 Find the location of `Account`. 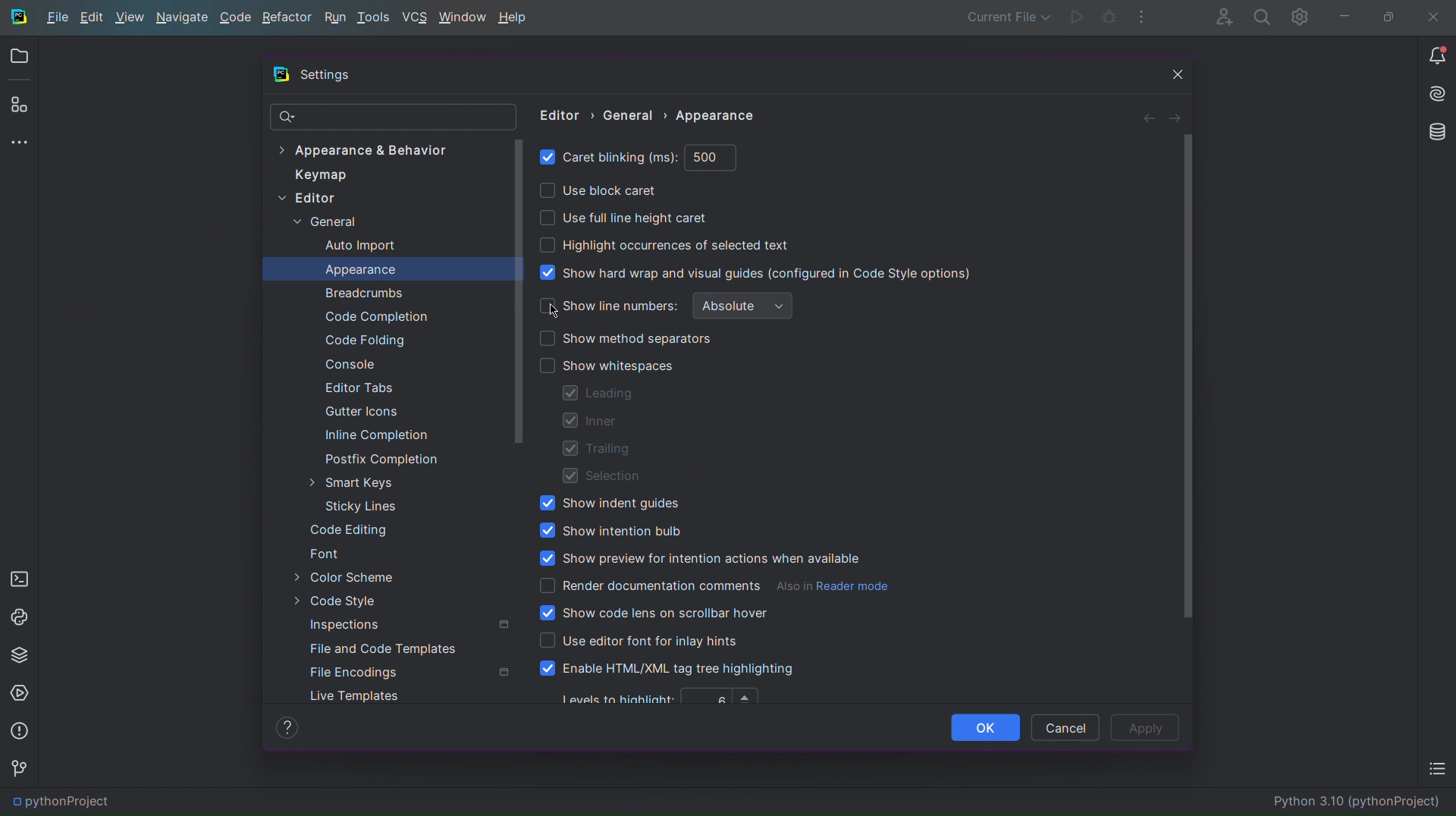

Account is located at coordinates (1217, 17).